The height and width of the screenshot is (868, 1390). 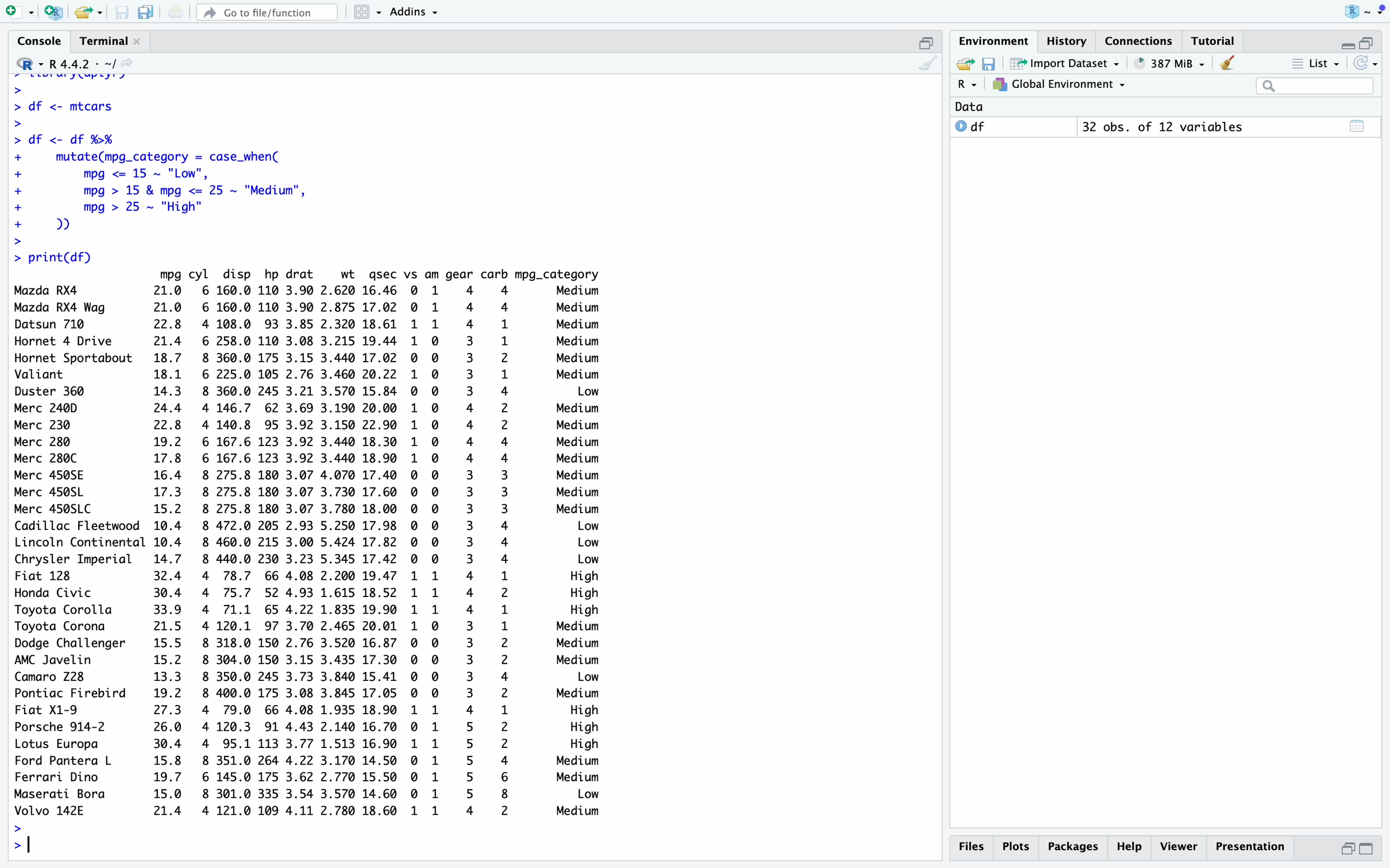 I want to click on searchbox, so click(x=1316, y=86).